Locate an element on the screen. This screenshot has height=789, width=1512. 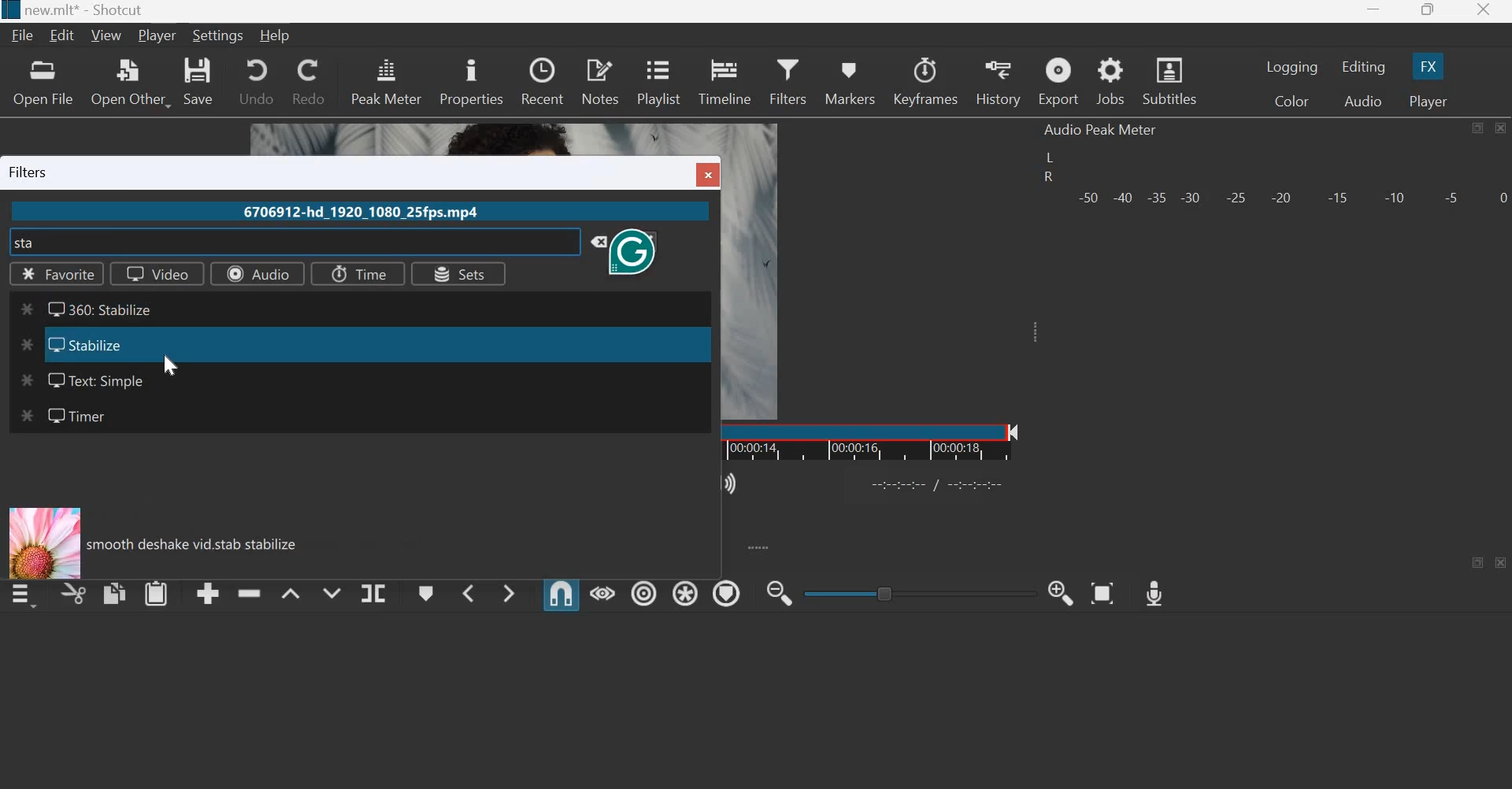
Recent is located at coordinates (543, 81).